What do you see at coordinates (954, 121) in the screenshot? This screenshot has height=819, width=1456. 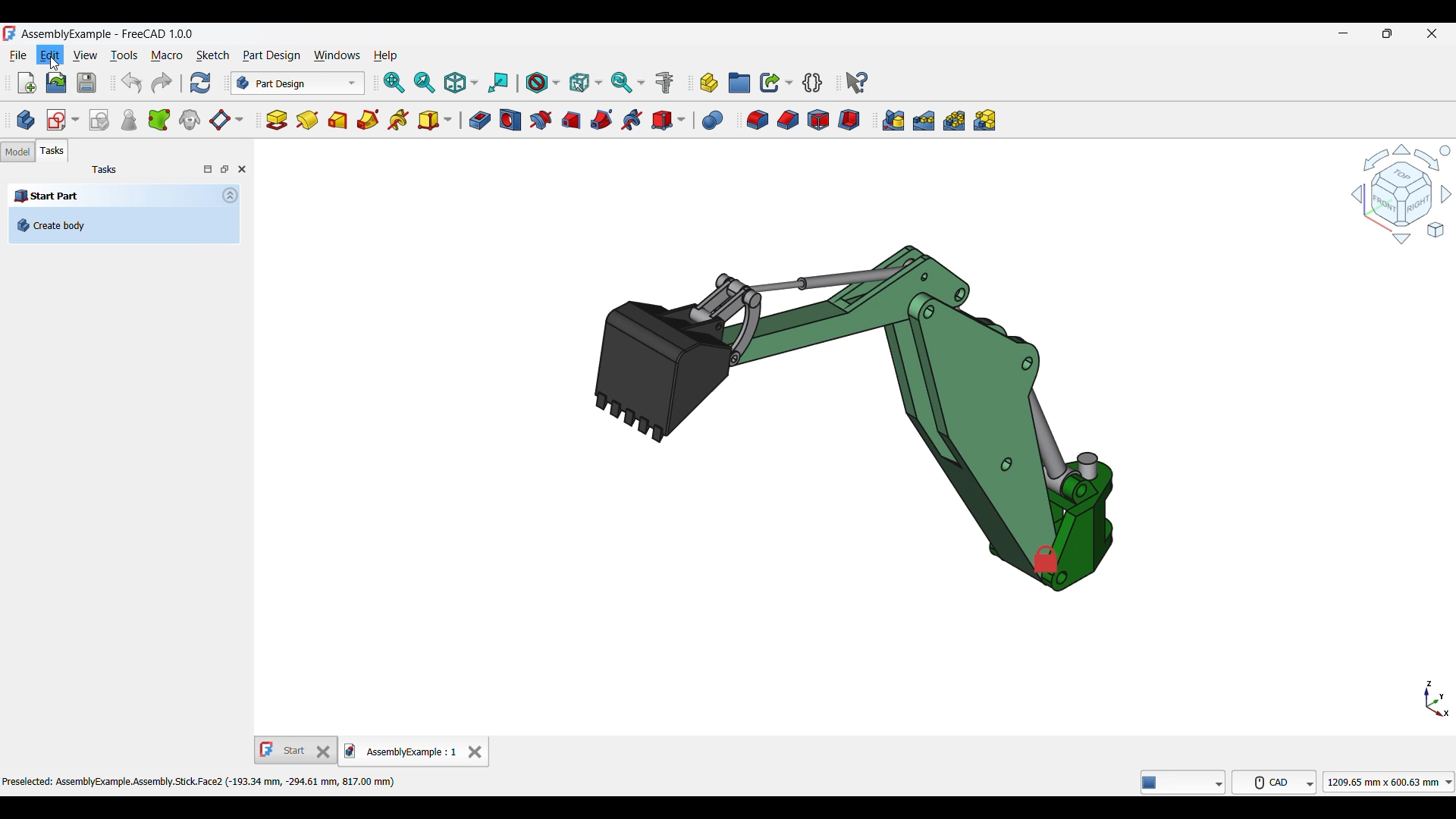 I see `Polar pattern` at bounding box center [954, 121].